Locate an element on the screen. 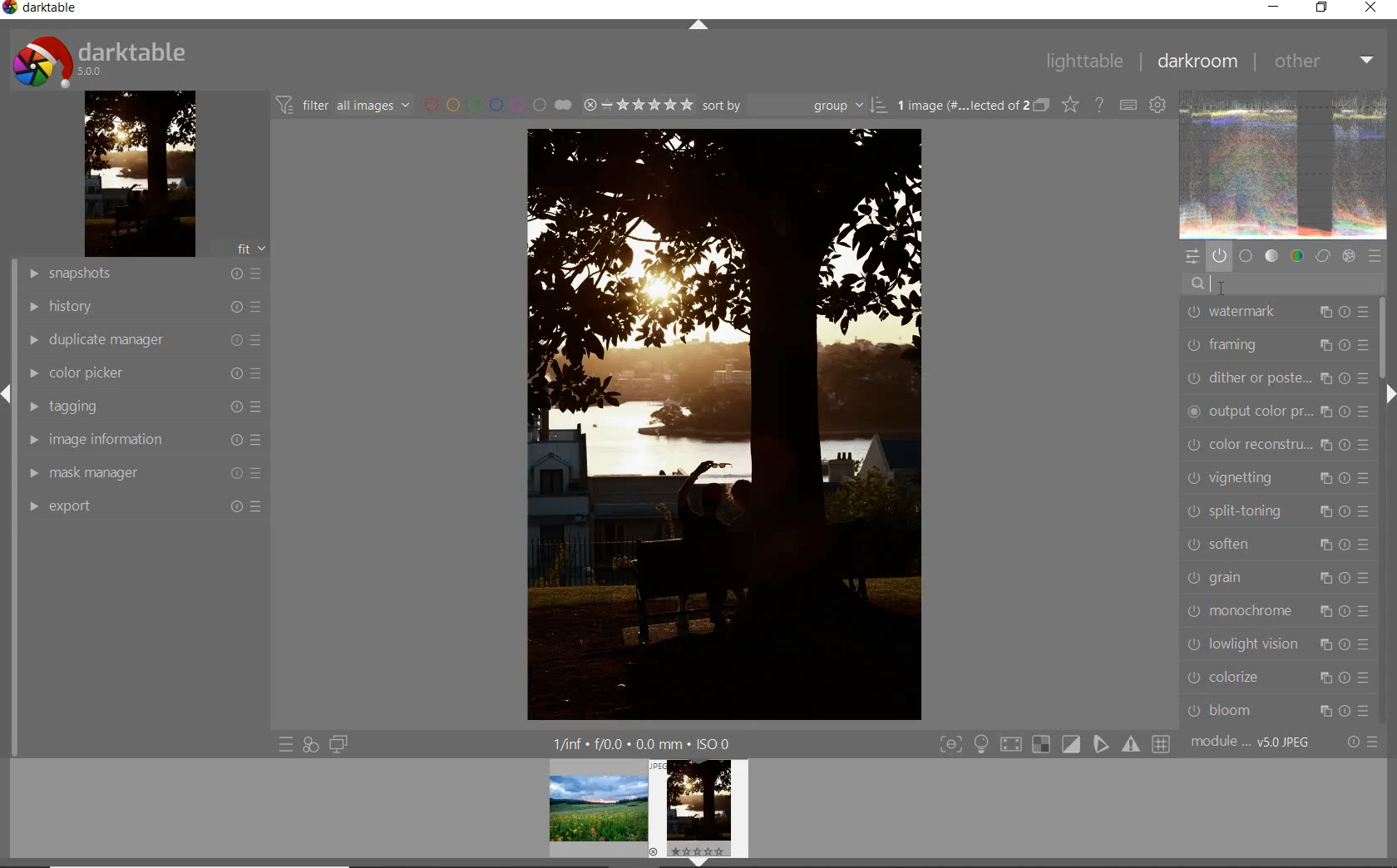  tone is located at coordinates (1272, 254).